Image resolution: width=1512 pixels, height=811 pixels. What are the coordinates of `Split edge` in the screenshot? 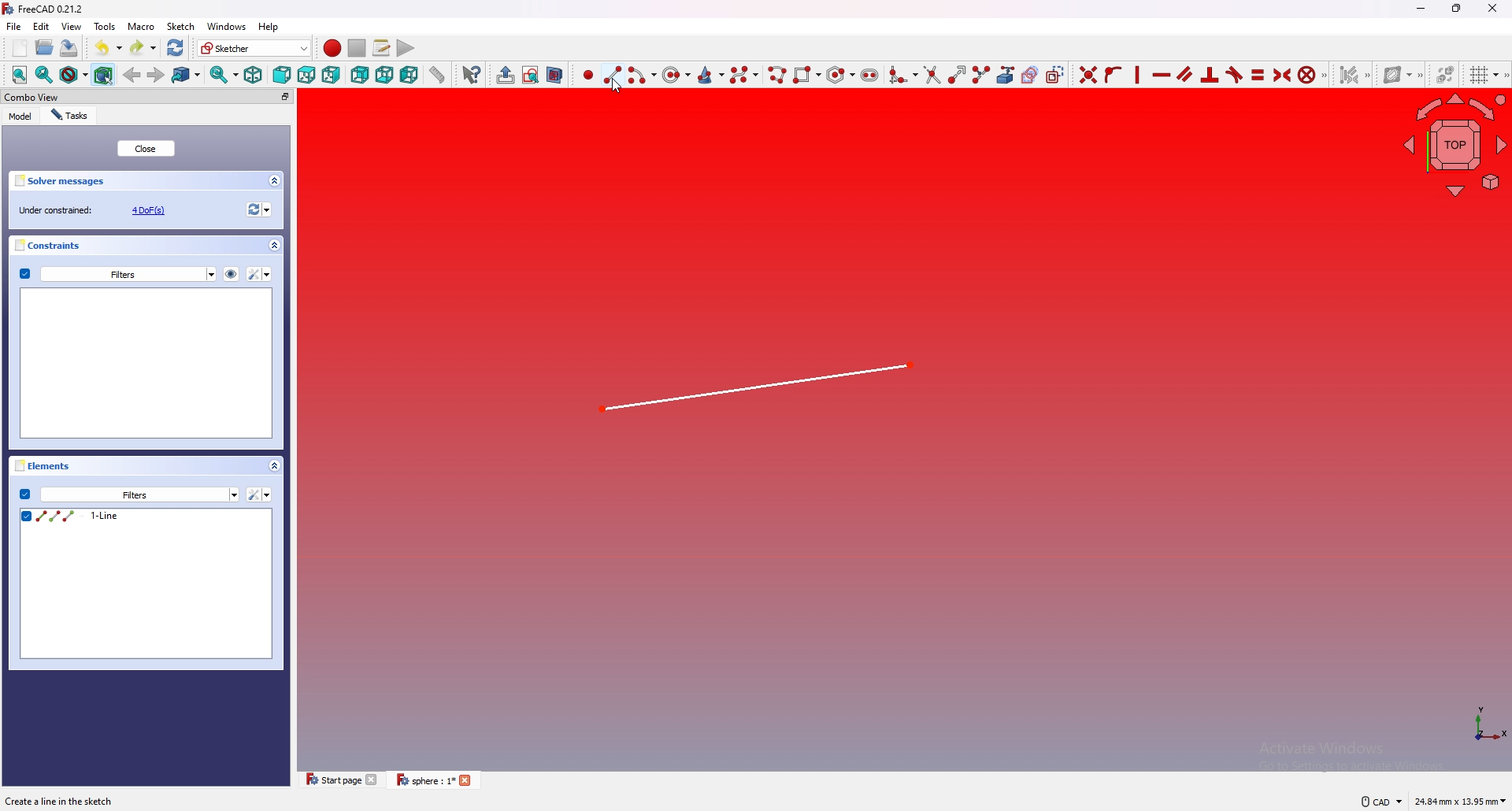 It's located at (980, 74).